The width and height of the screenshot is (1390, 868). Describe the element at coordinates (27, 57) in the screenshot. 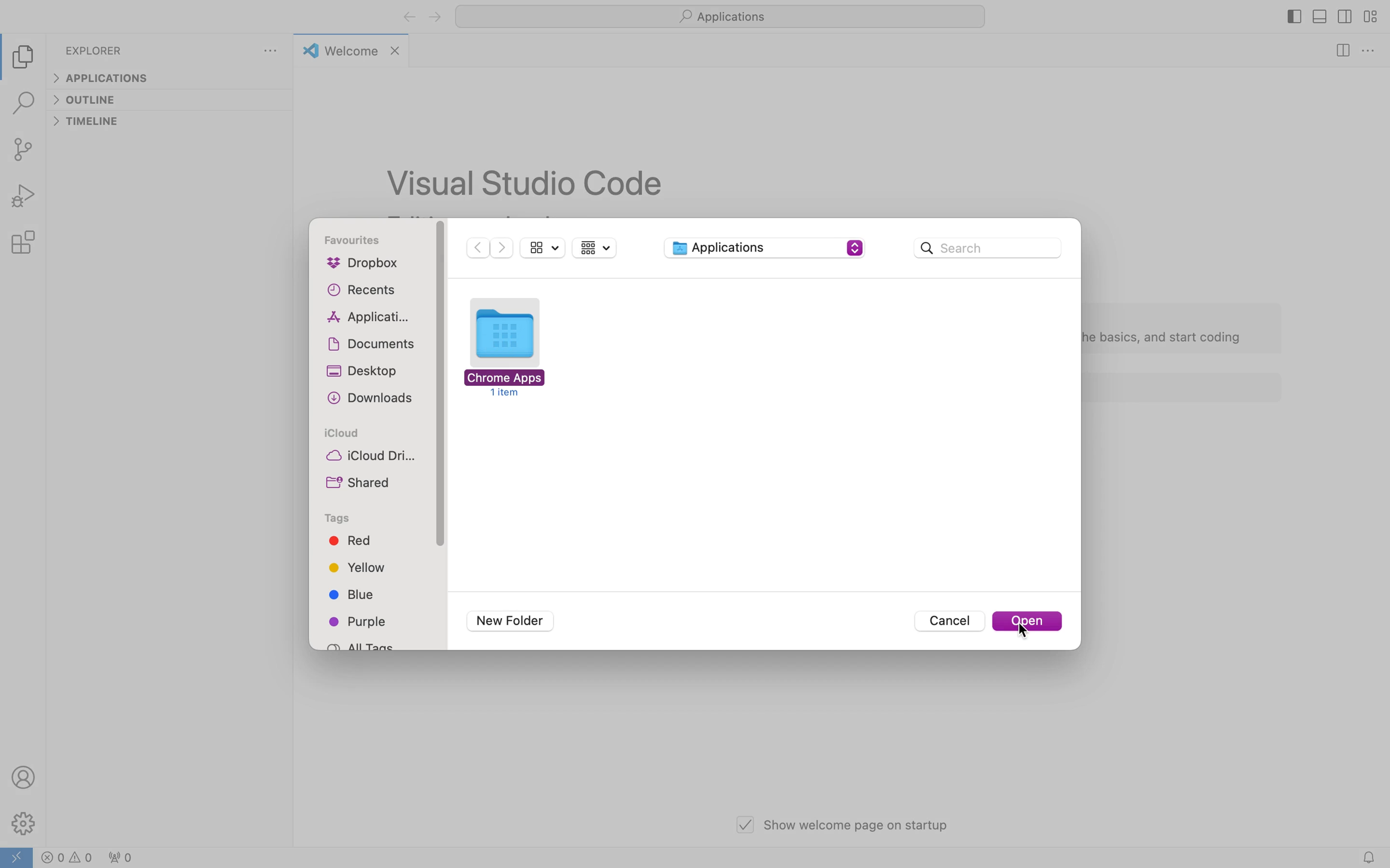

I see `explorer` at that location.